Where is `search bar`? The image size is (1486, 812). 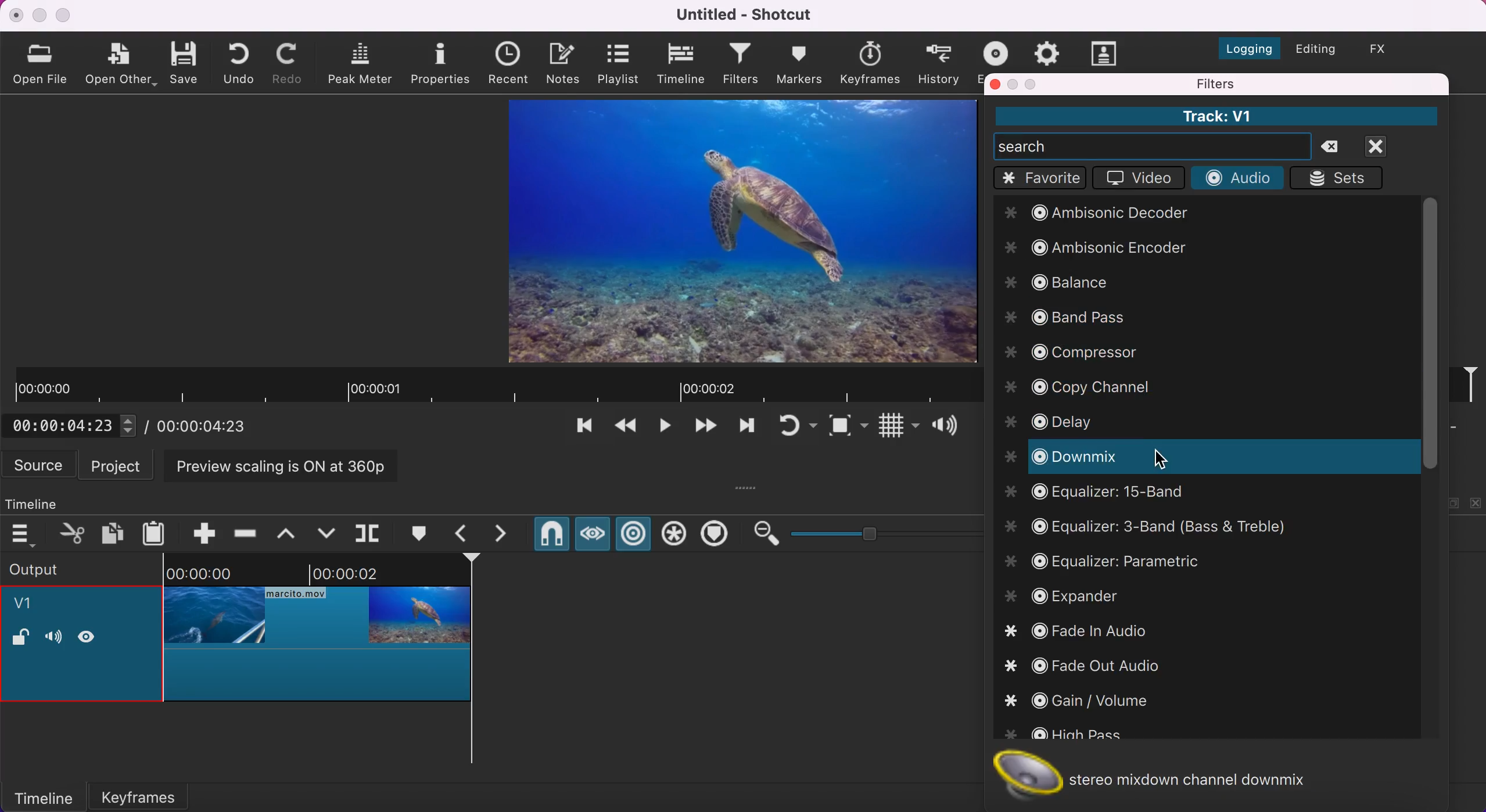
search bar is located at coordinates (1153, 146).